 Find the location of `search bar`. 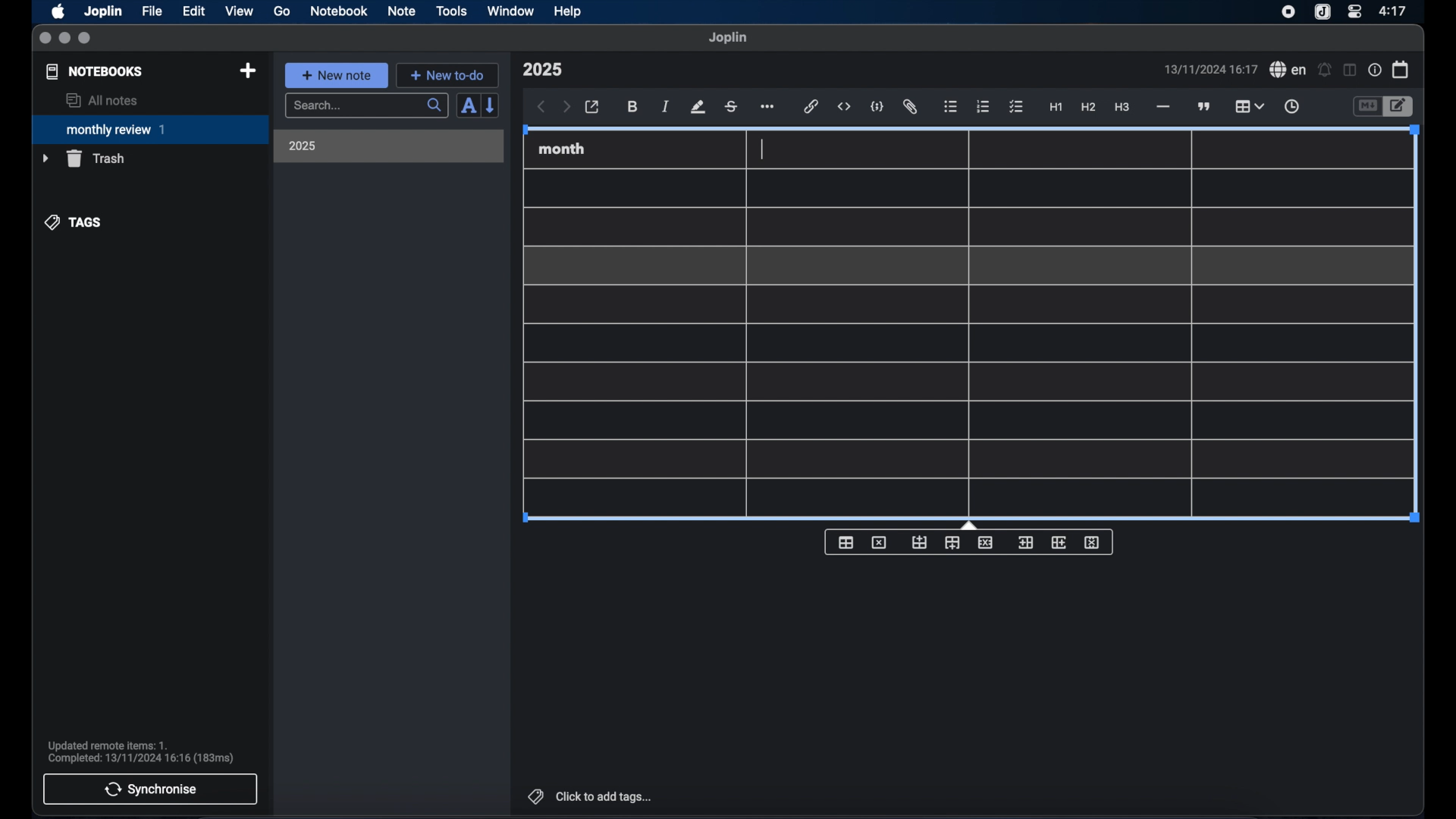

search bar is located at coordinates (366, 107).